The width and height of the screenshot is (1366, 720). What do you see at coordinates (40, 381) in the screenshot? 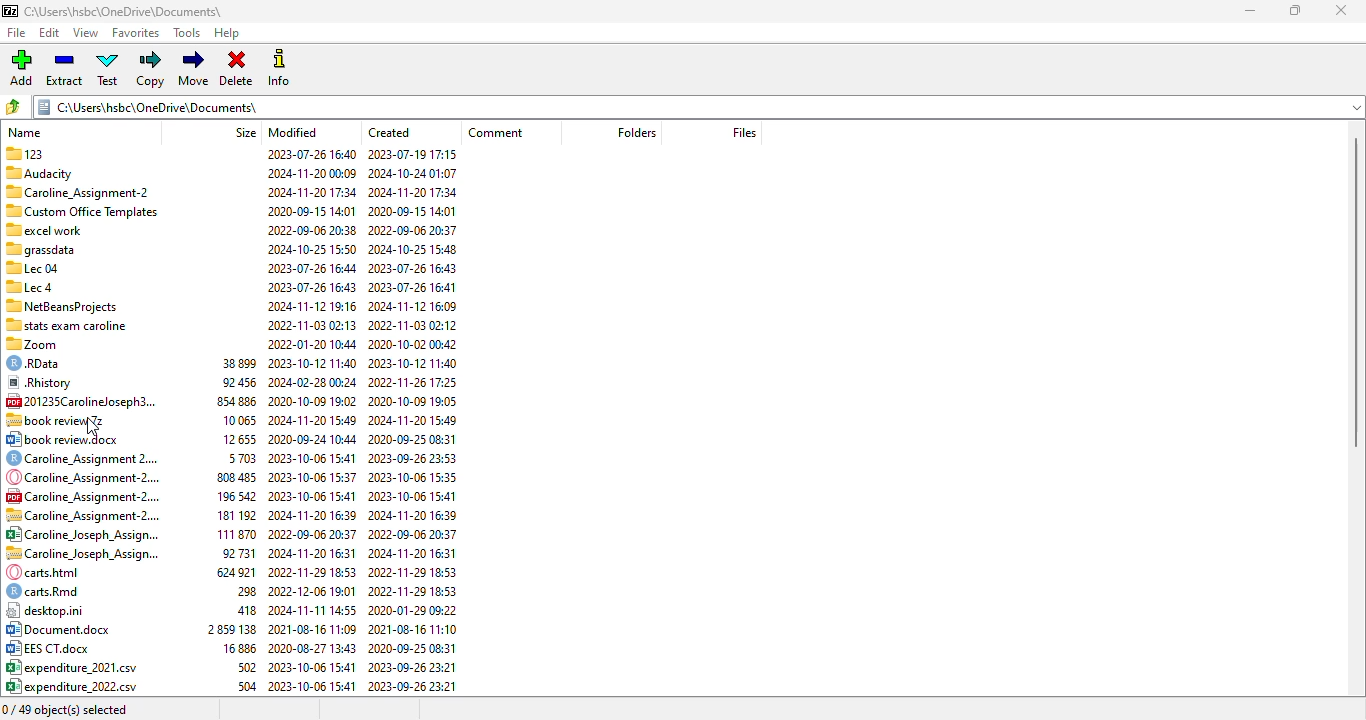
I see `® Rhistory` at bounding box center [40, 381].